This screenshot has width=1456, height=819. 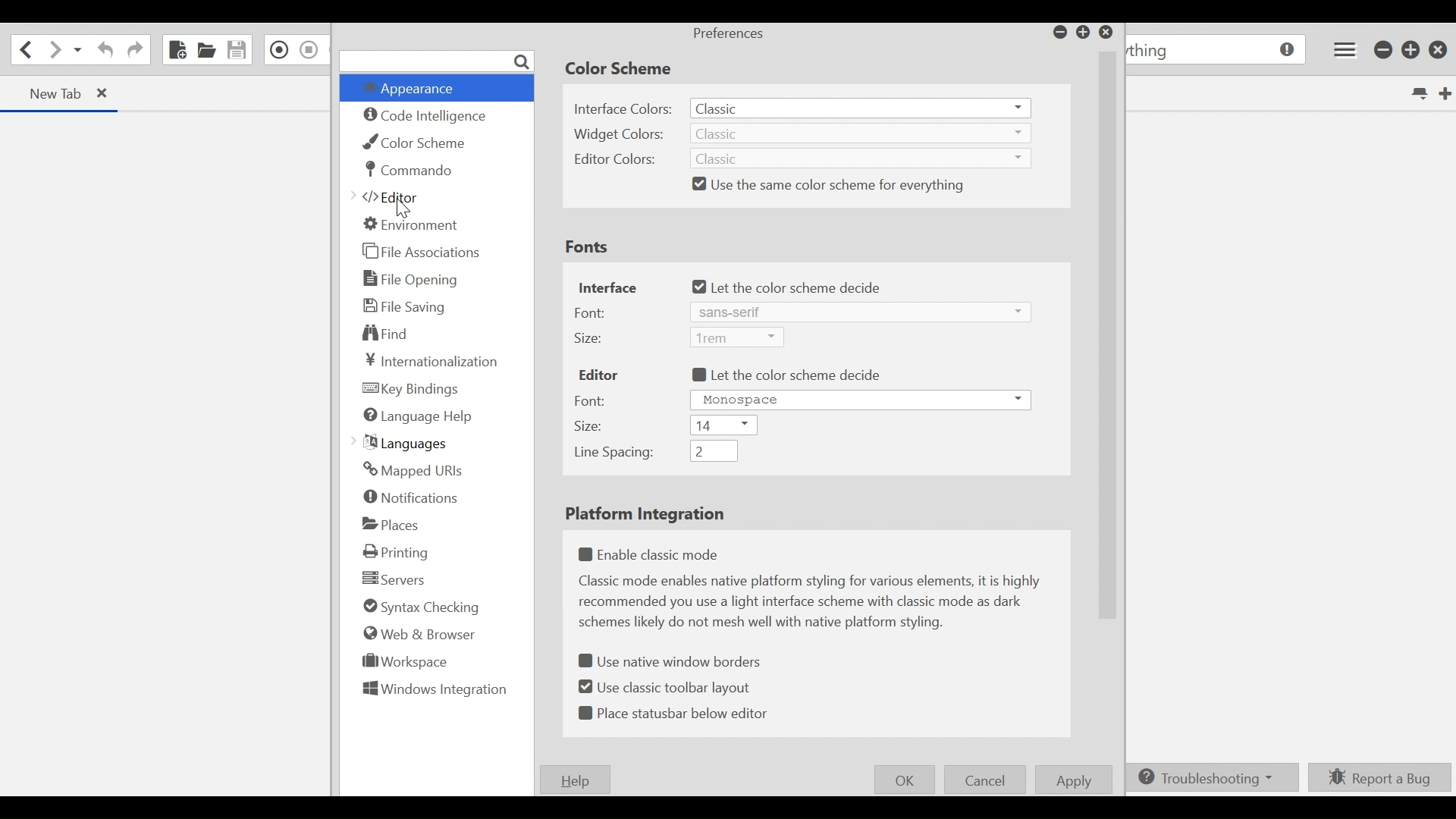 I want to click on Close, so click(x=1108, y=33).